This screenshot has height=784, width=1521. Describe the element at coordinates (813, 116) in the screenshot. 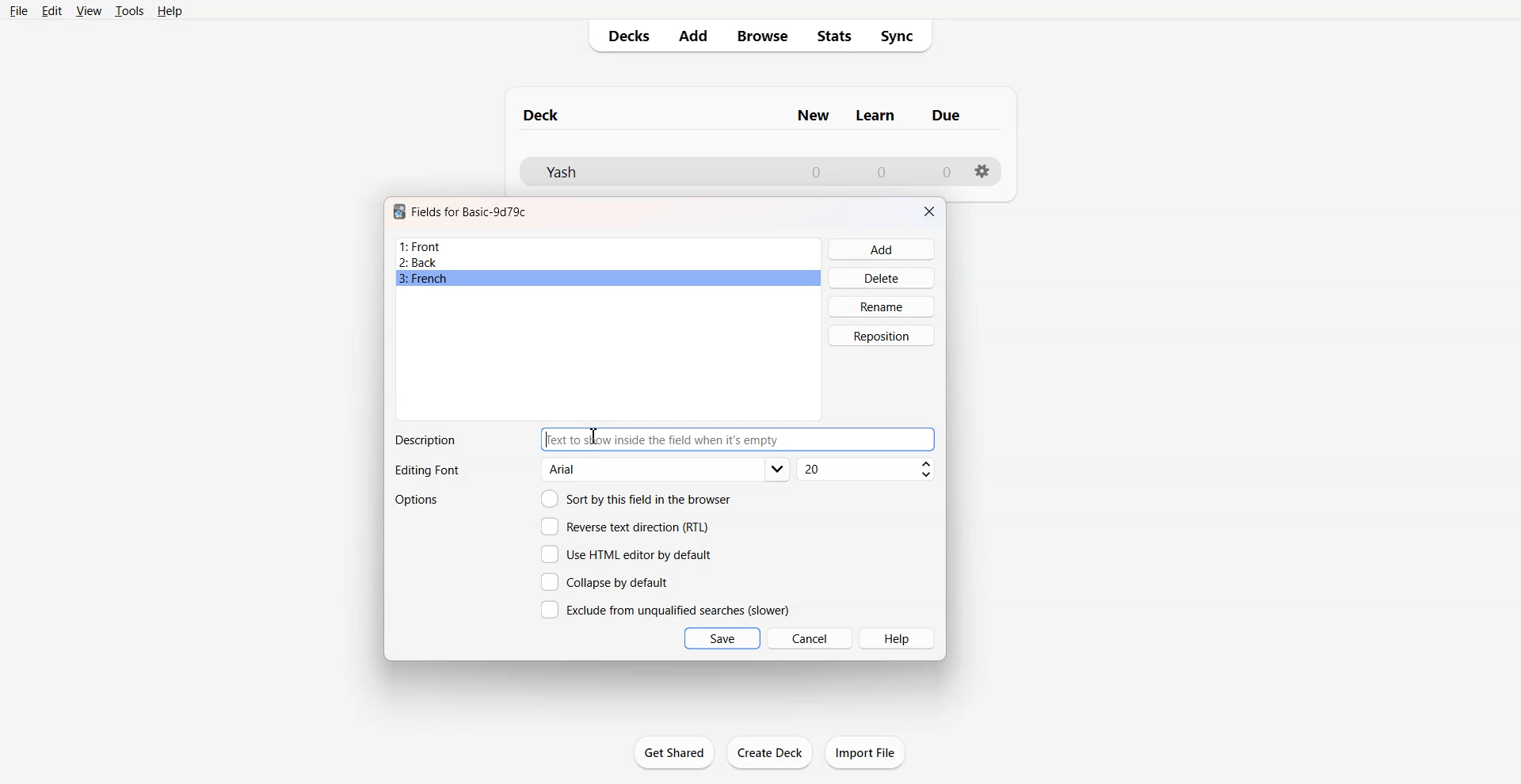

I see `Column name` at that location.